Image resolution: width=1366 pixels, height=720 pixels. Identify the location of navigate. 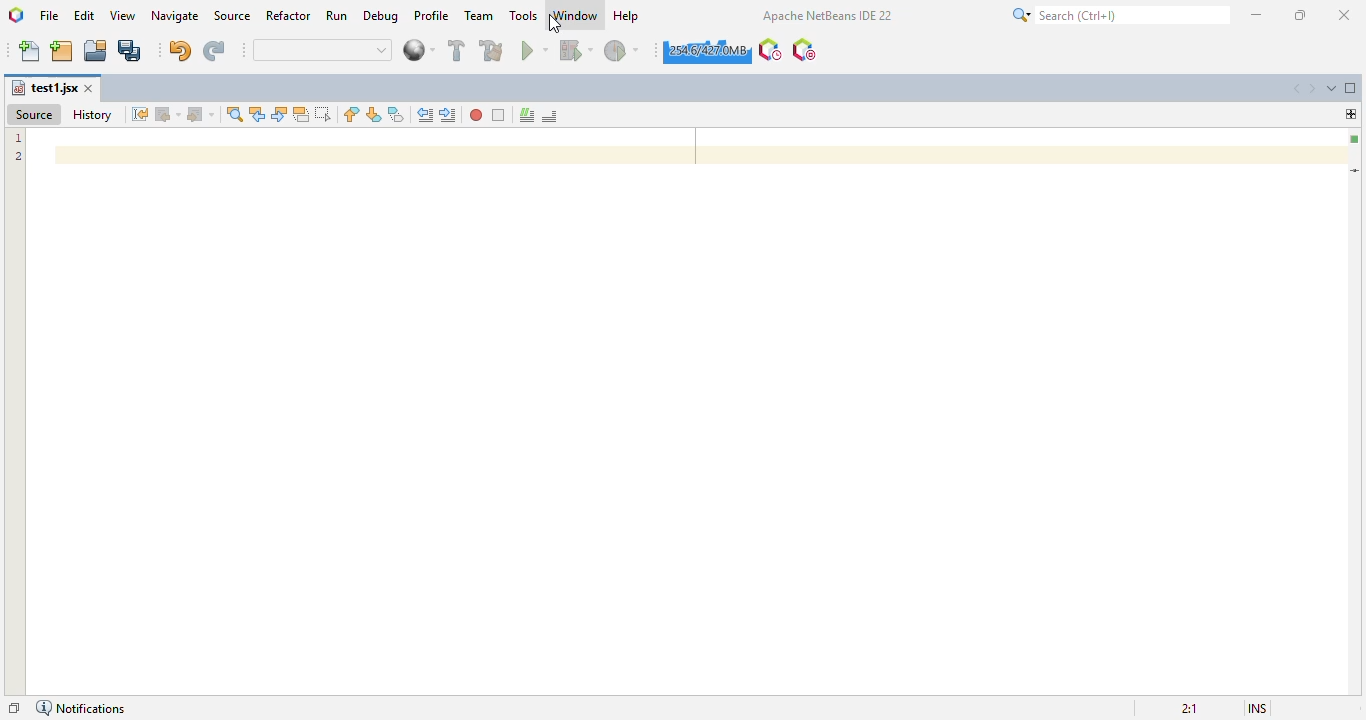
(177, 16).